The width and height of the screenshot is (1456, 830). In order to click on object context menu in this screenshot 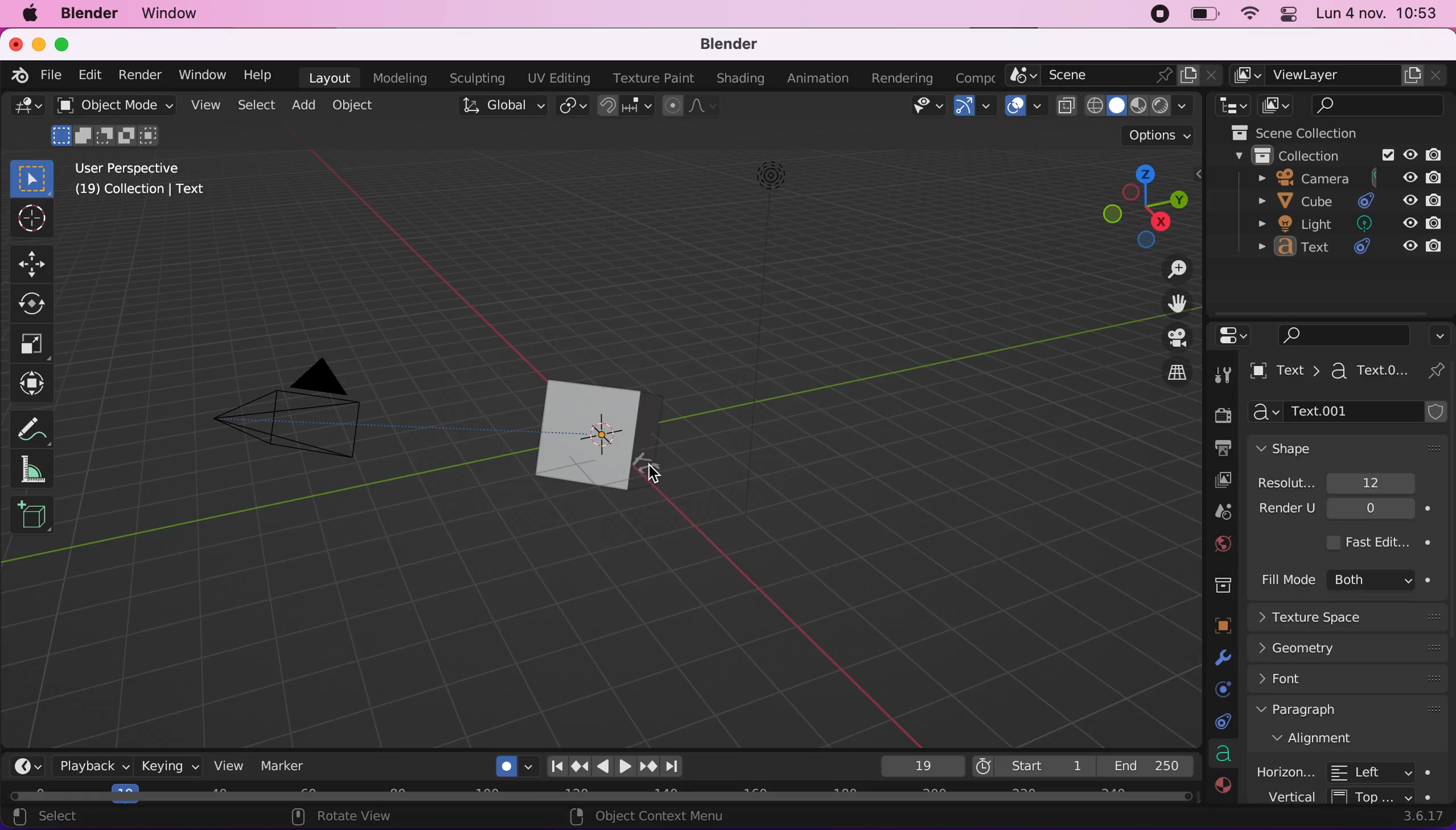, I will do `click(655, 817)`.